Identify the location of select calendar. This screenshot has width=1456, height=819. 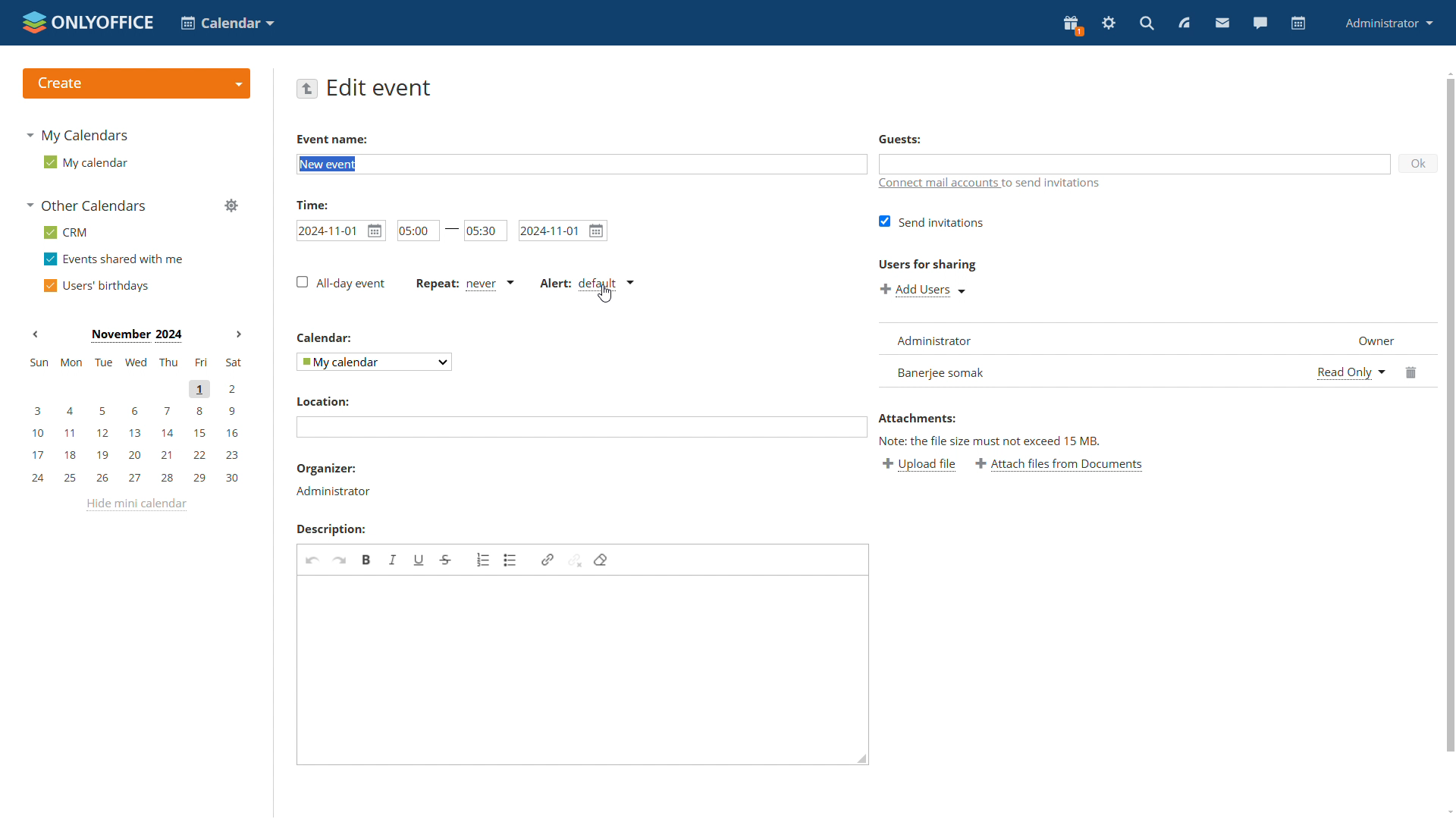
(374, 361).